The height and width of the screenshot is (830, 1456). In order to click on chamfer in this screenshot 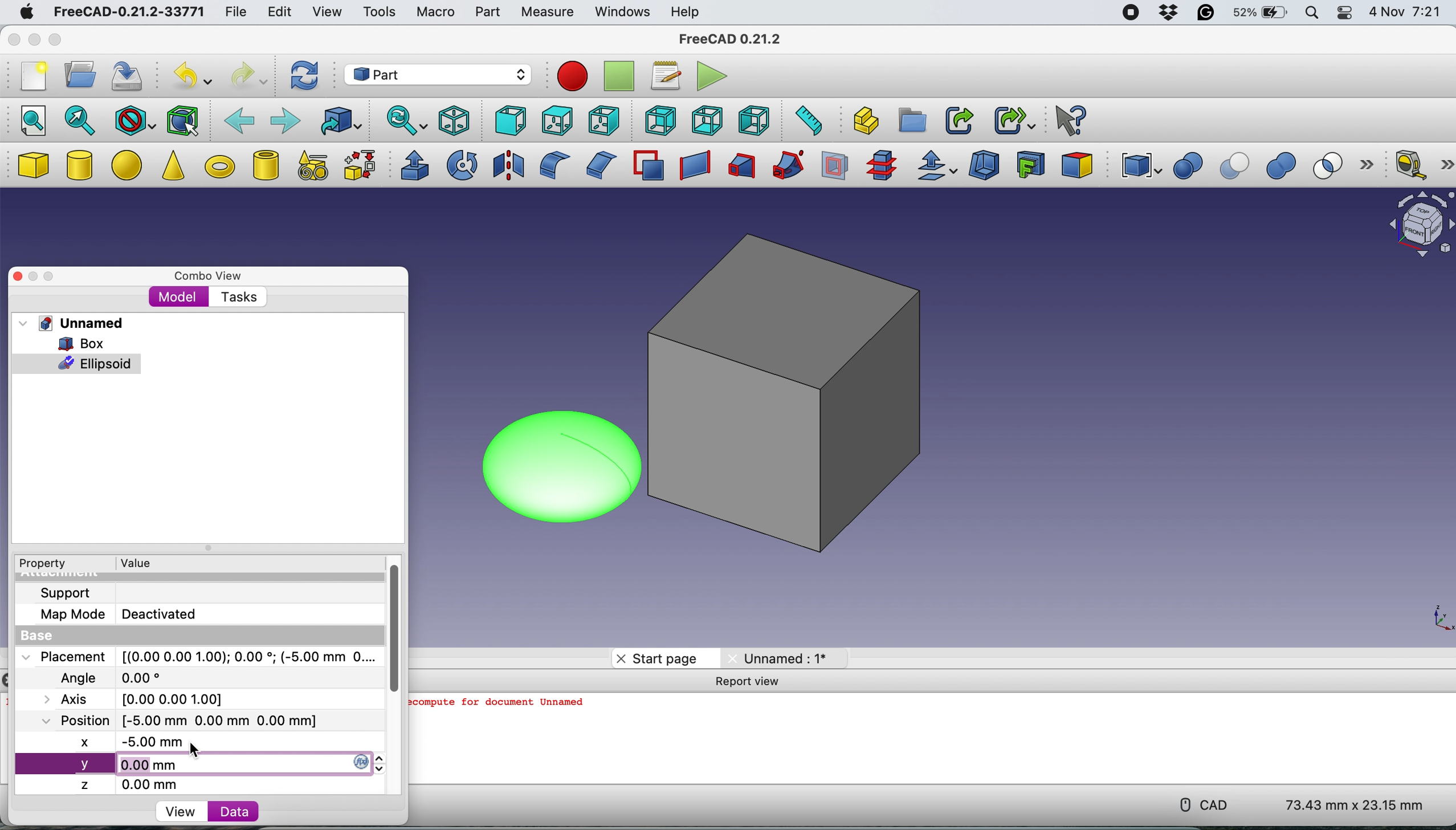, I will do `click(599, 164)`.